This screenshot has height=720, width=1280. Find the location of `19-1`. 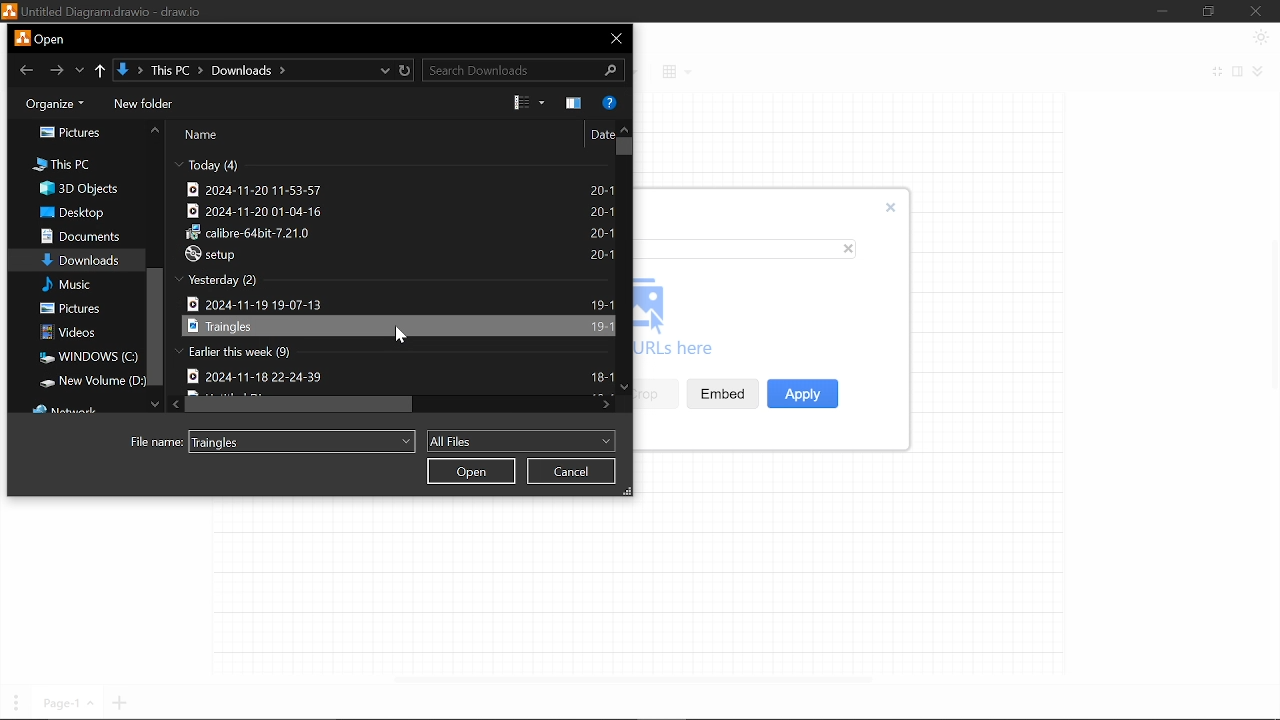

19-1 is located at coordinates (600, 326).